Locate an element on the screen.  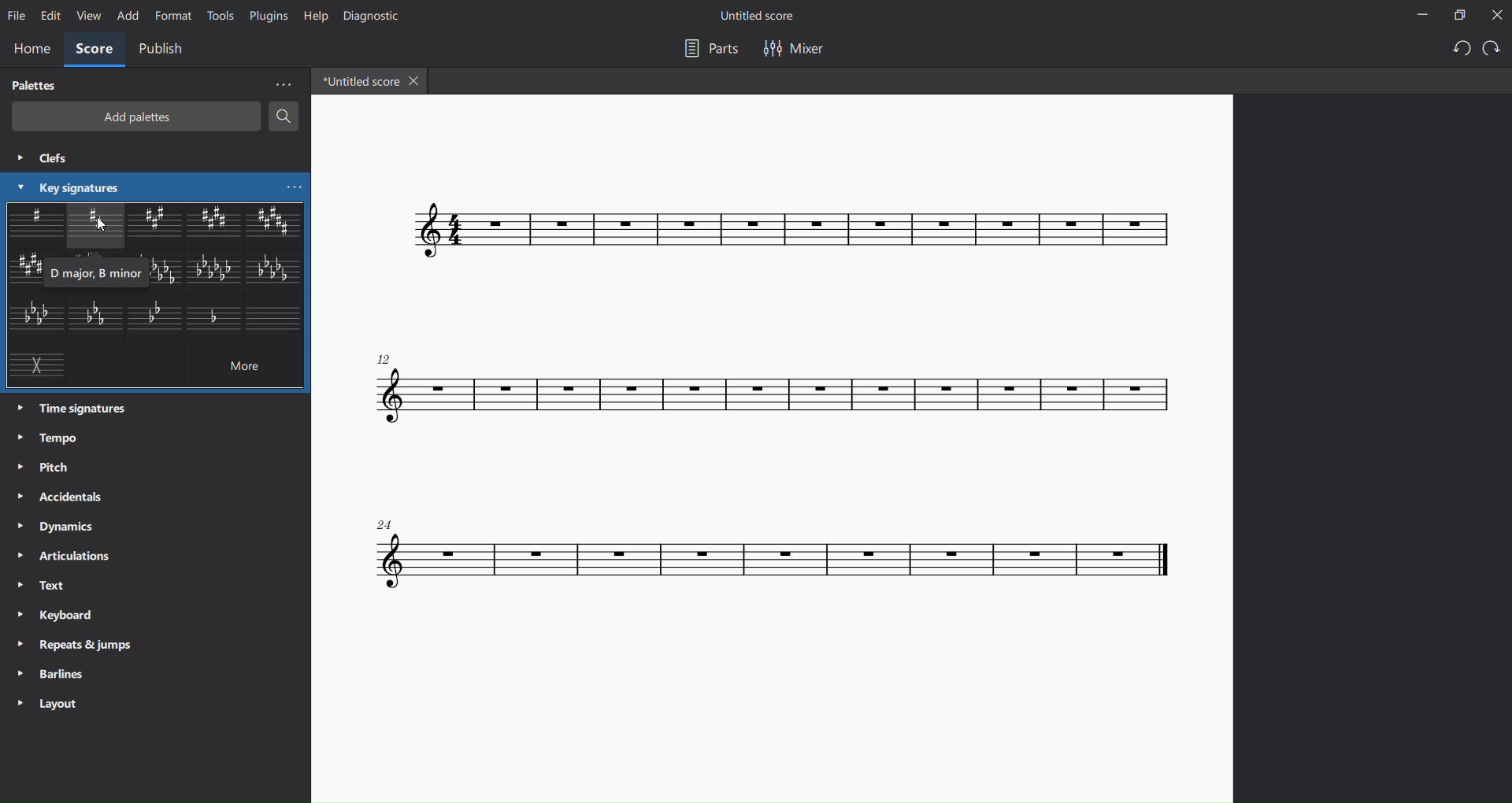
text is located at coordinates (47, 586).